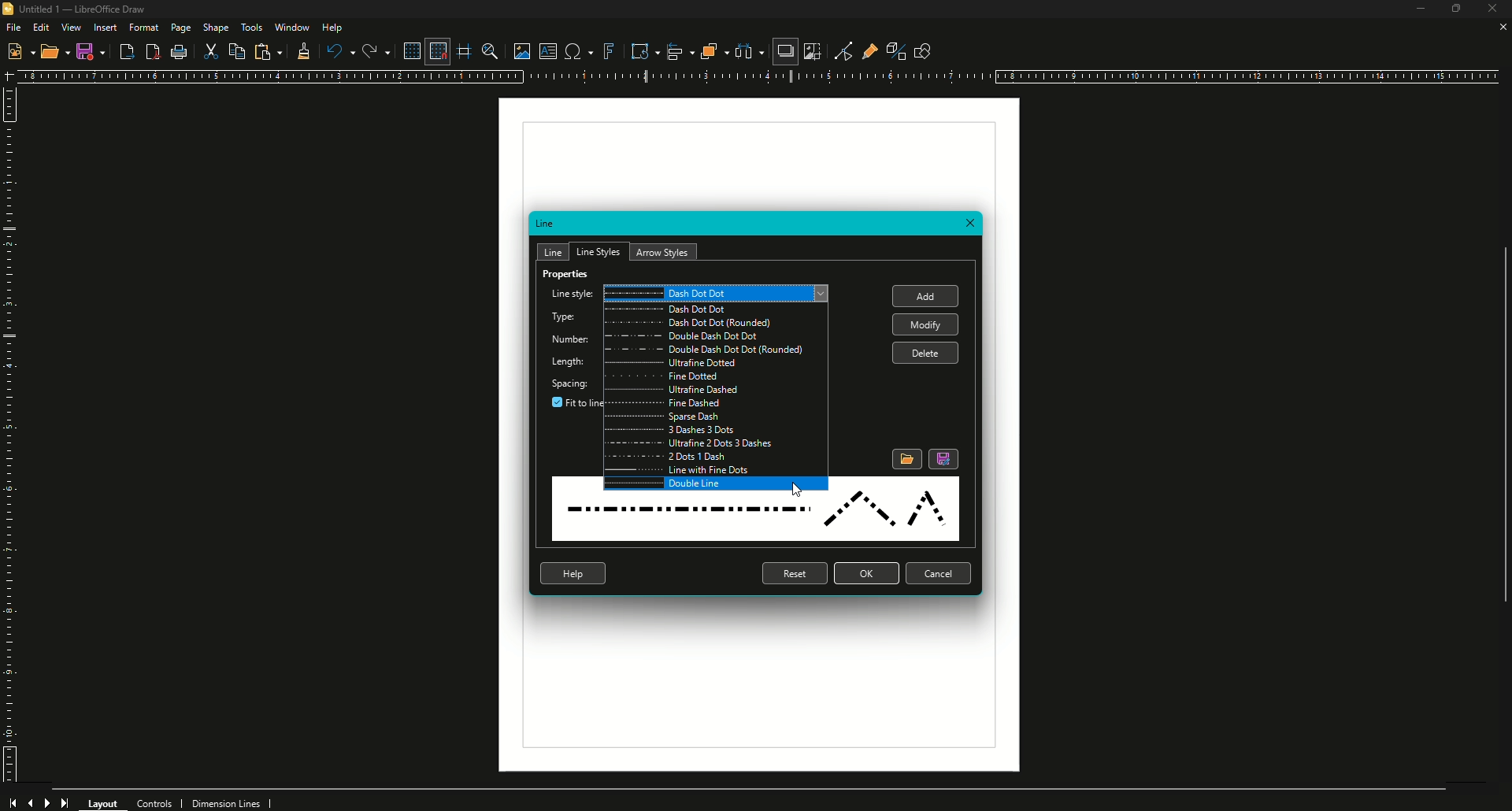  I want to click on , so click(715, 443).